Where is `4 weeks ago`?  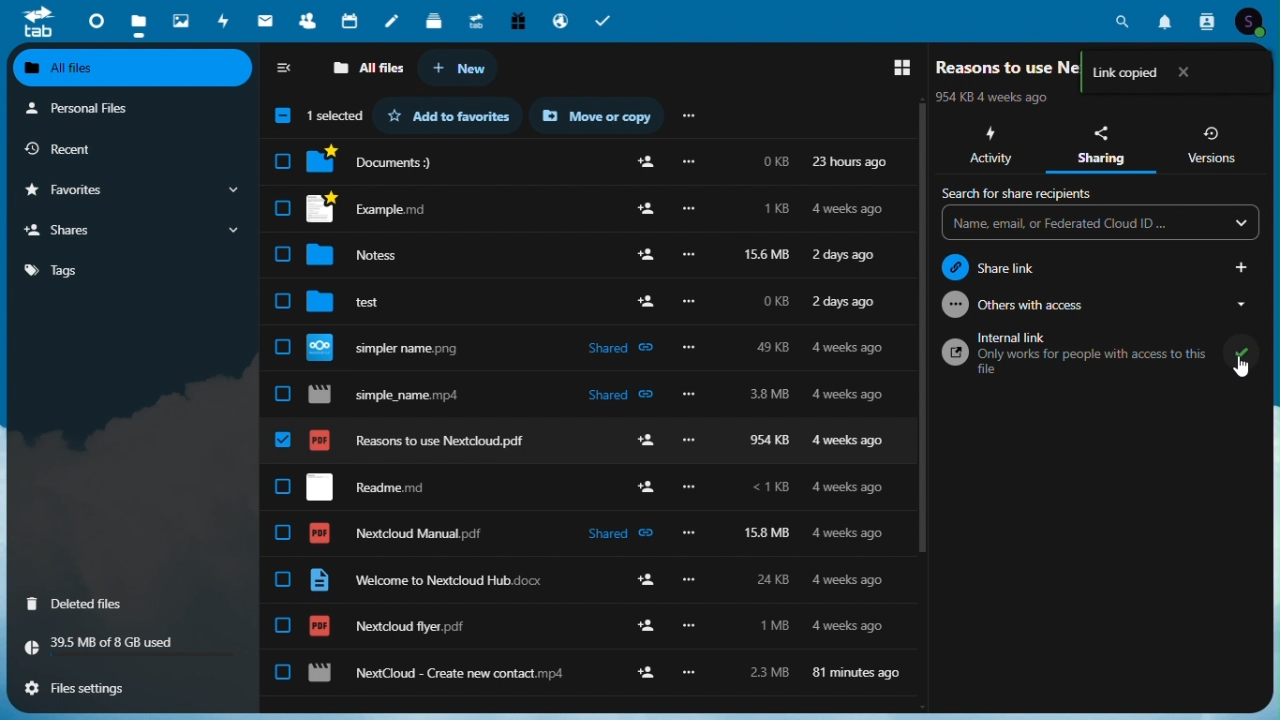 4 weeks ago is located at coordinates (847, 396).